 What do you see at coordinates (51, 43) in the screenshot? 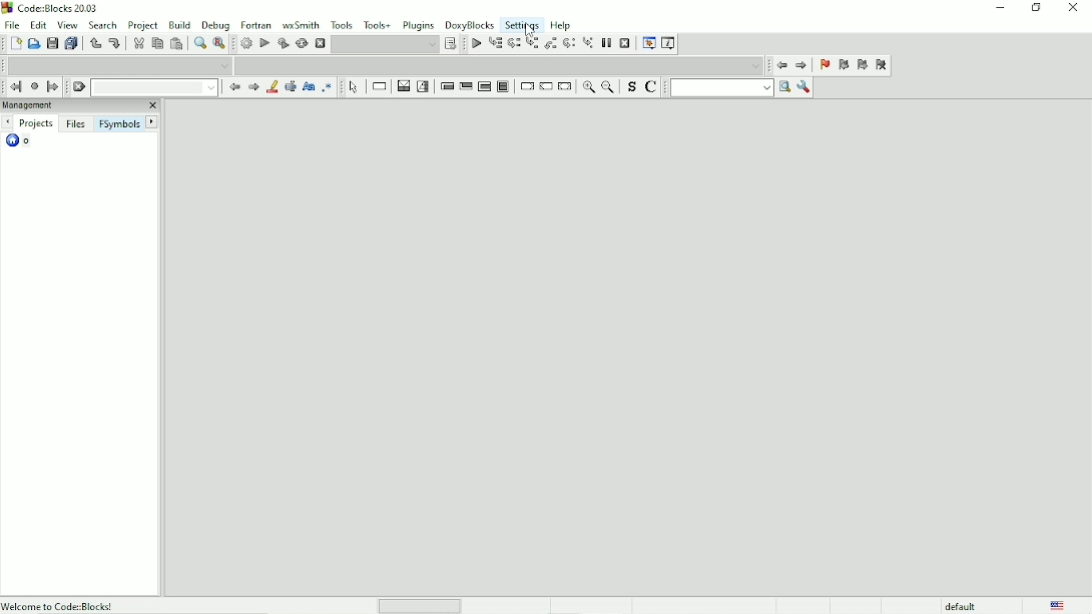
I see `Save` at bounding box center [51, 43].